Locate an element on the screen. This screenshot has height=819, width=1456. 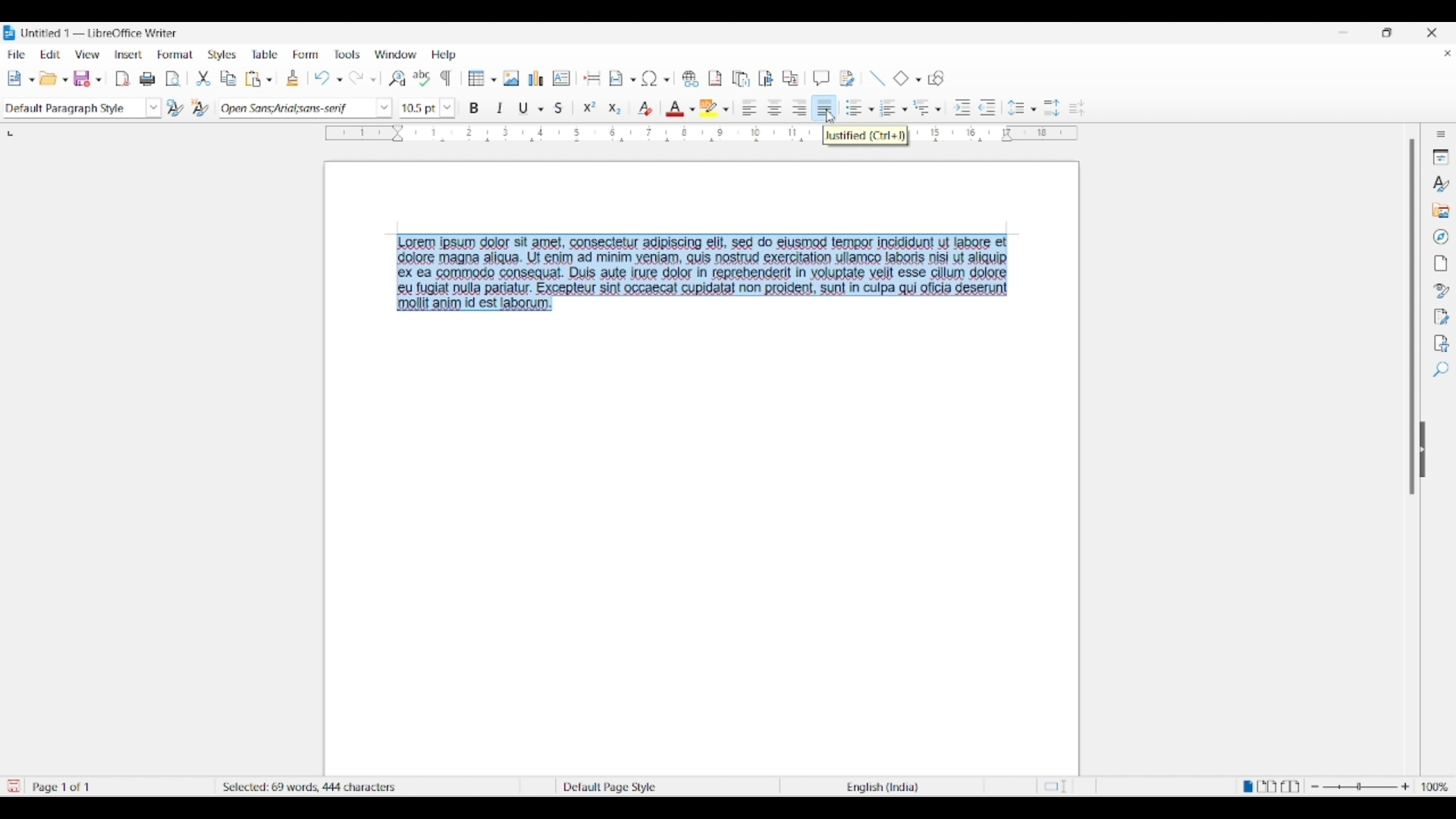
Justified (Ctrl+J) is located at coordinates (868, 134).